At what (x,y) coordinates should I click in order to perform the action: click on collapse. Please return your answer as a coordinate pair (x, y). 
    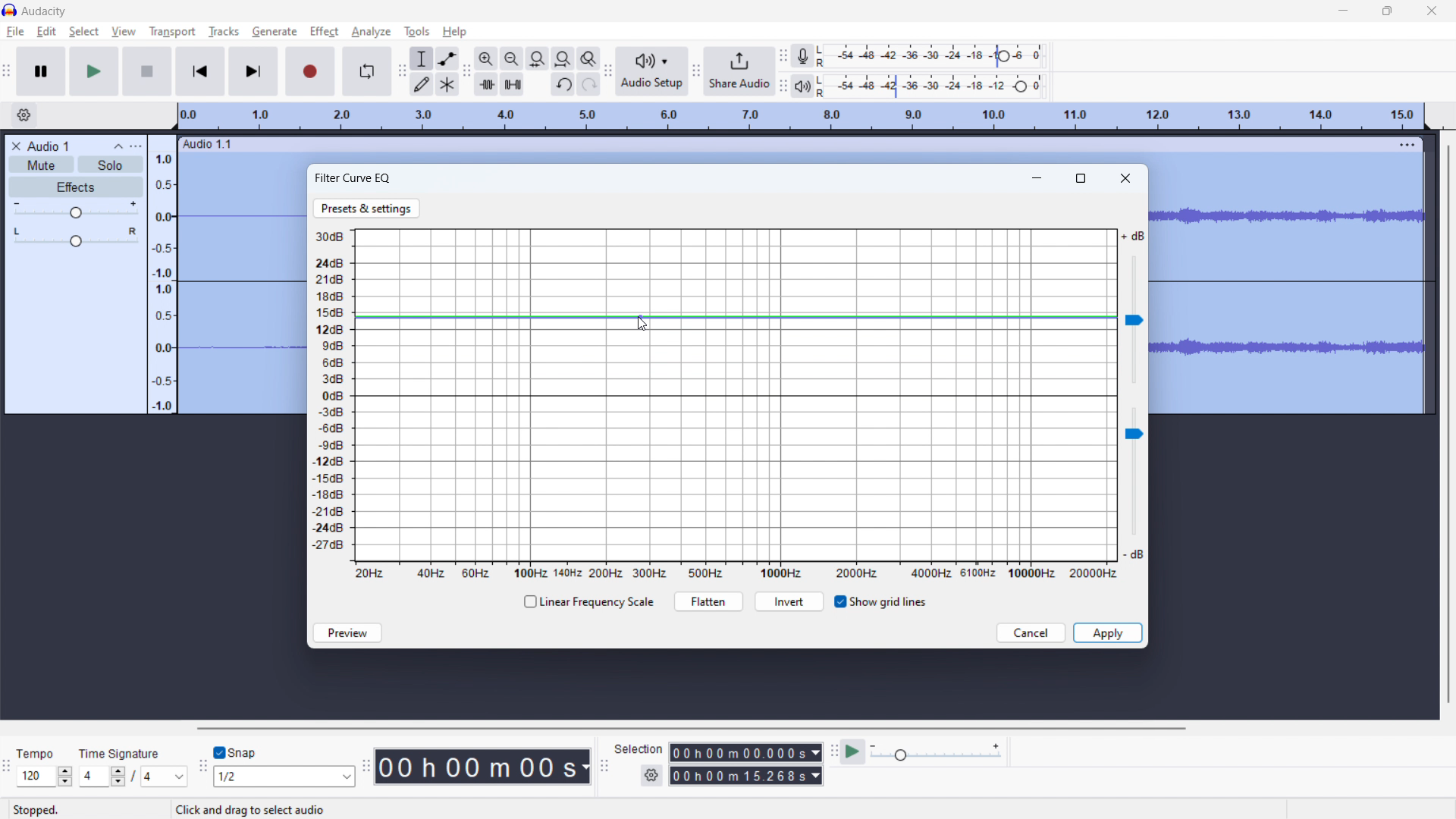
    Looking at the image, I should click on (119, 147).